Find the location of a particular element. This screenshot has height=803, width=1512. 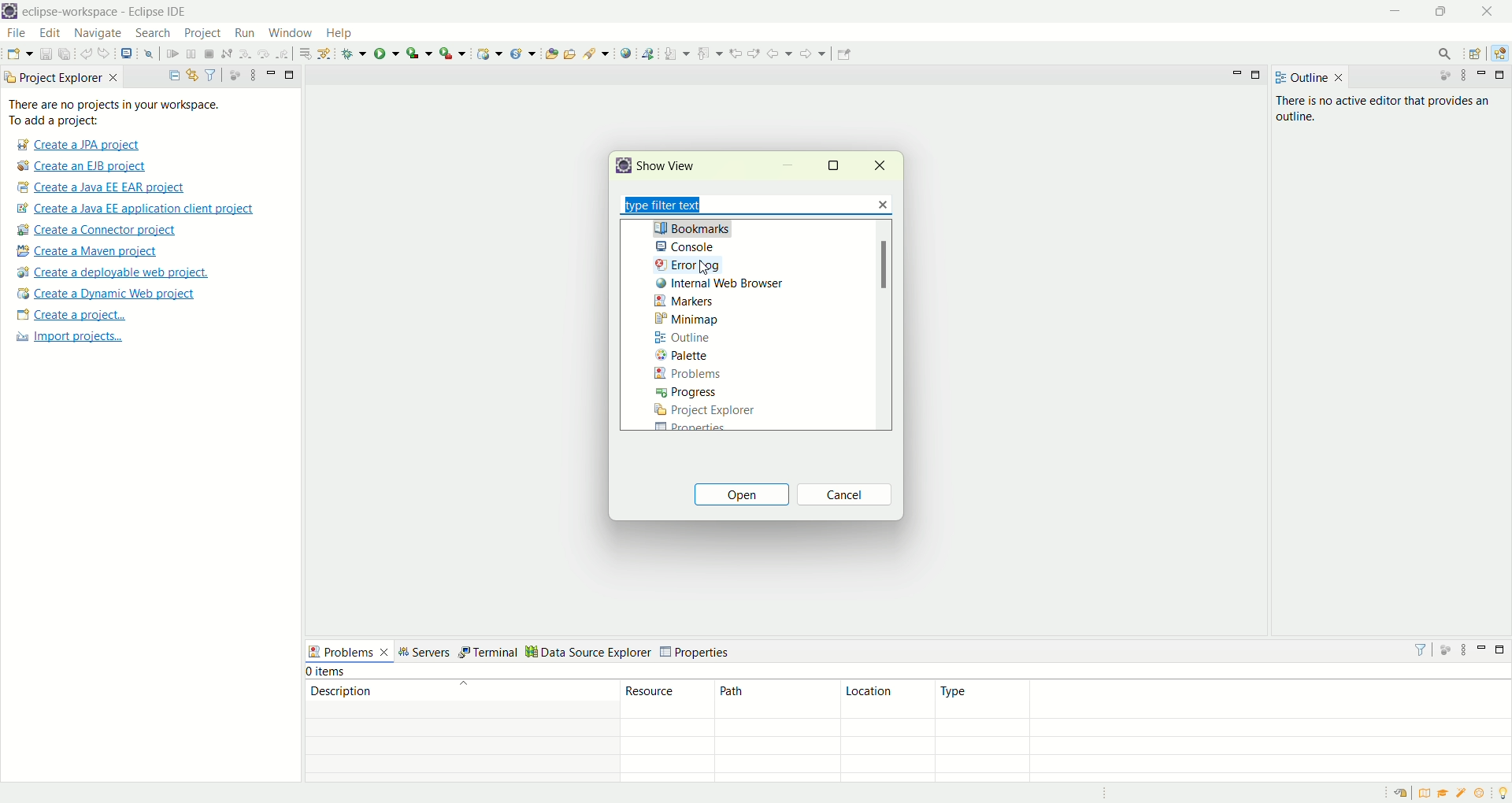

create a new Java servlet is located at coordinates (523, 53).